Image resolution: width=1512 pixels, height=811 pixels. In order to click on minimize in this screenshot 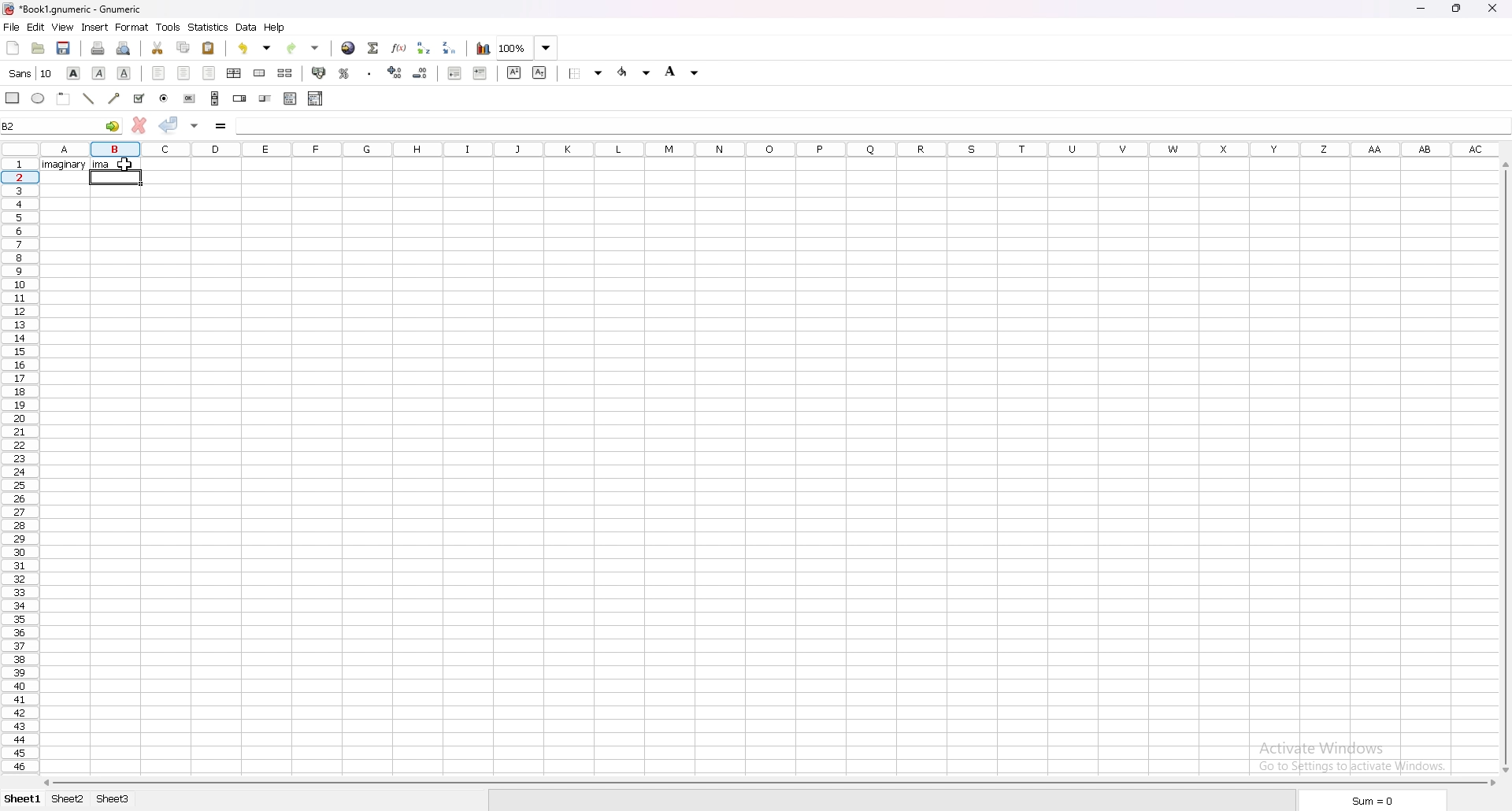, I will do `click(1420, 8)`.